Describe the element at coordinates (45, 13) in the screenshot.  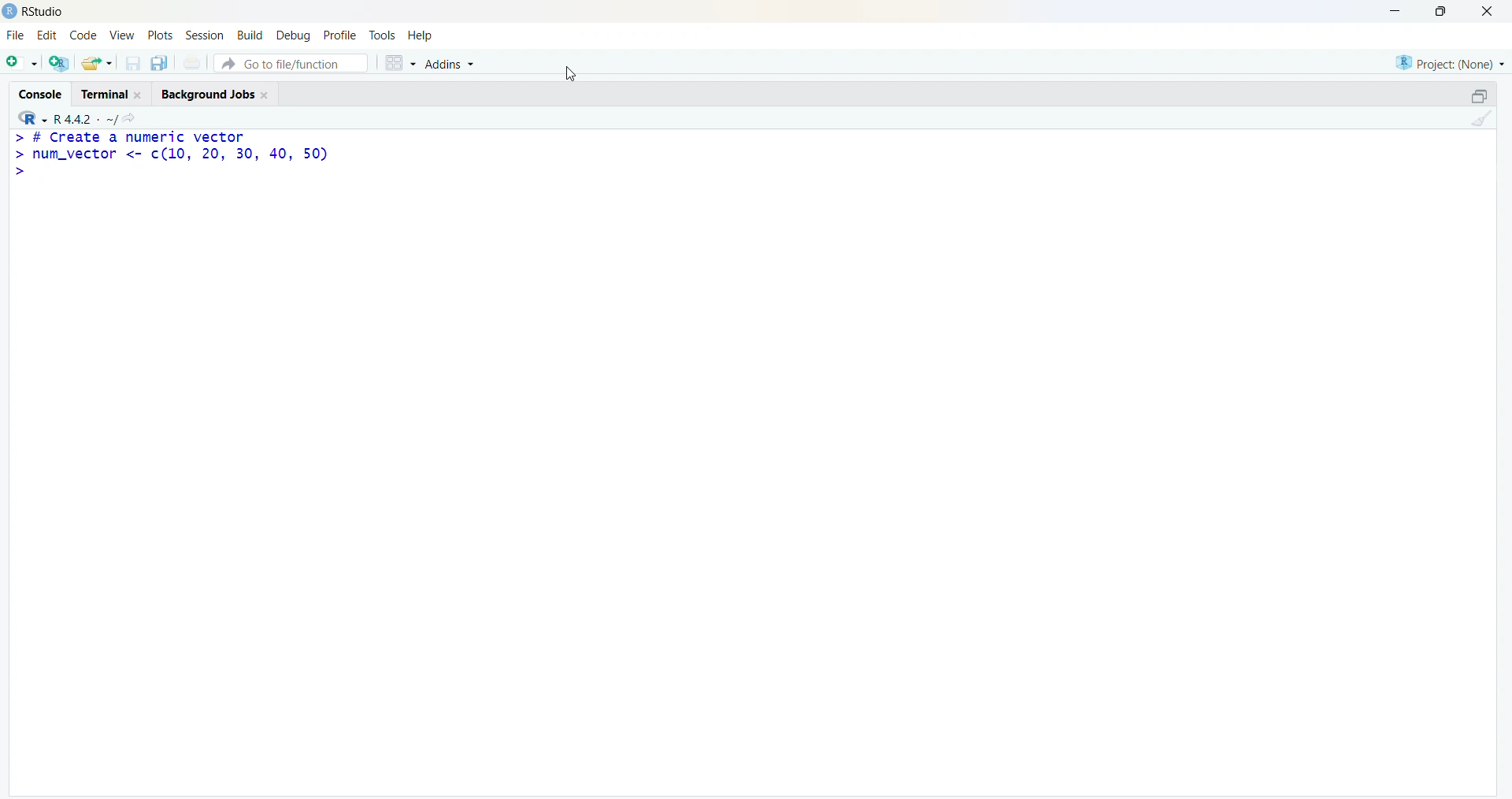
I see `RStudio` at that location.